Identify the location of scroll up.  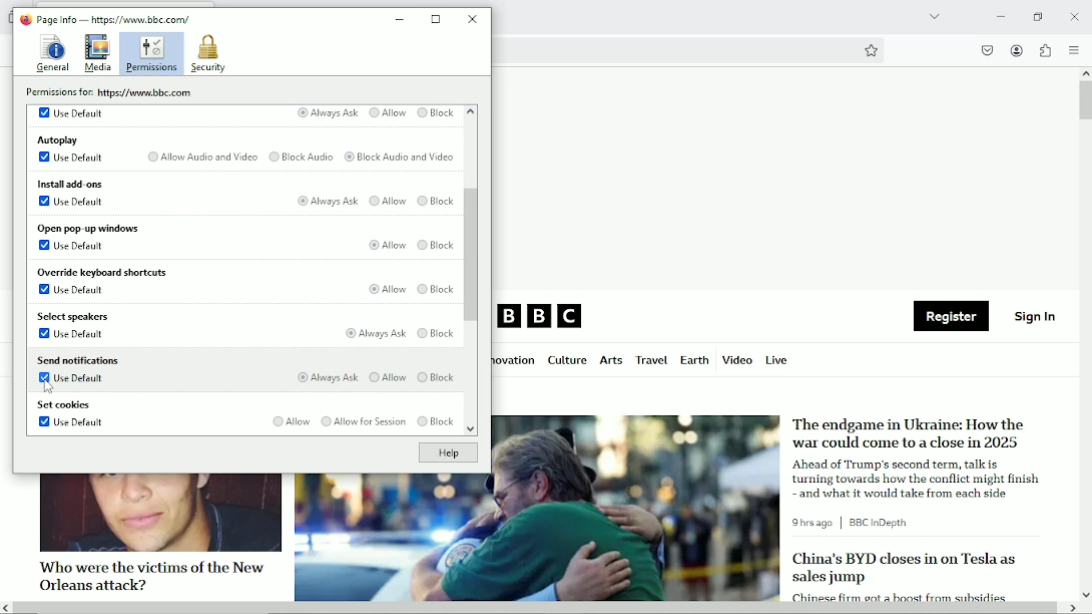
(1085, 73).